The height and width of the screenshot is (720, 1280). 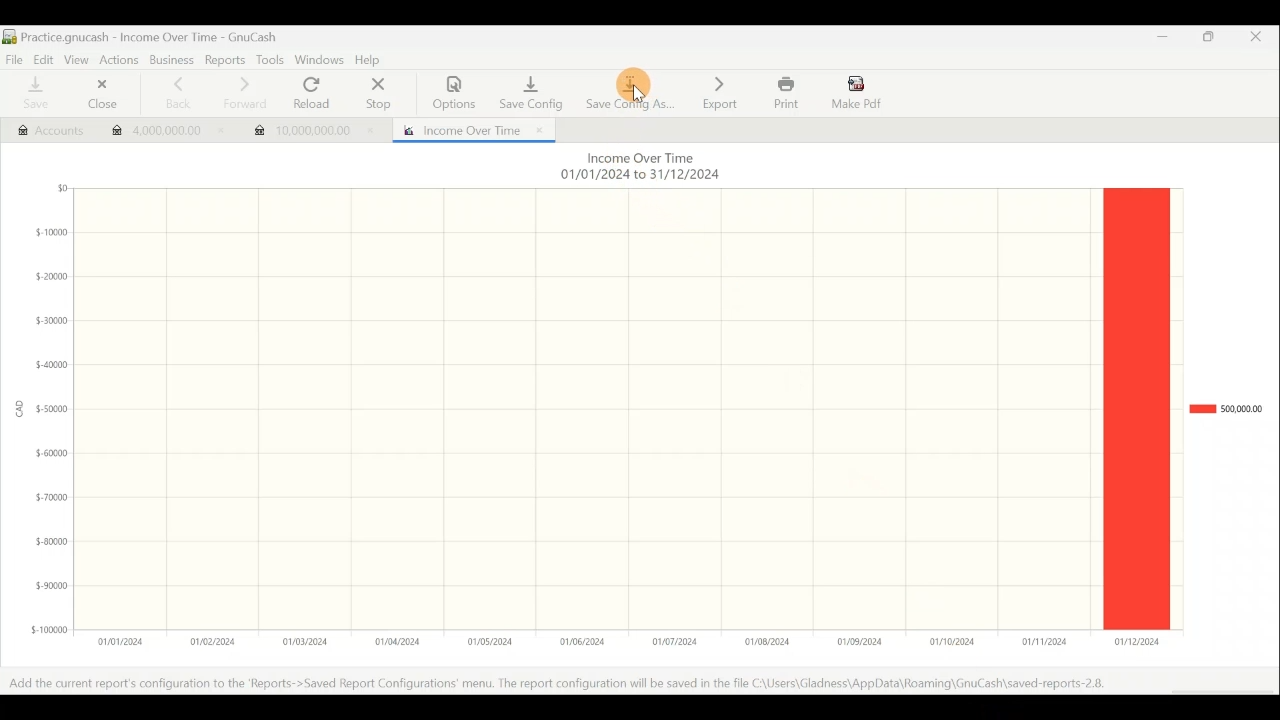 What do you see at coordinates (638, 168) in the screenshot?
I see `Chart name & date range` at bounding box center [638, 168].